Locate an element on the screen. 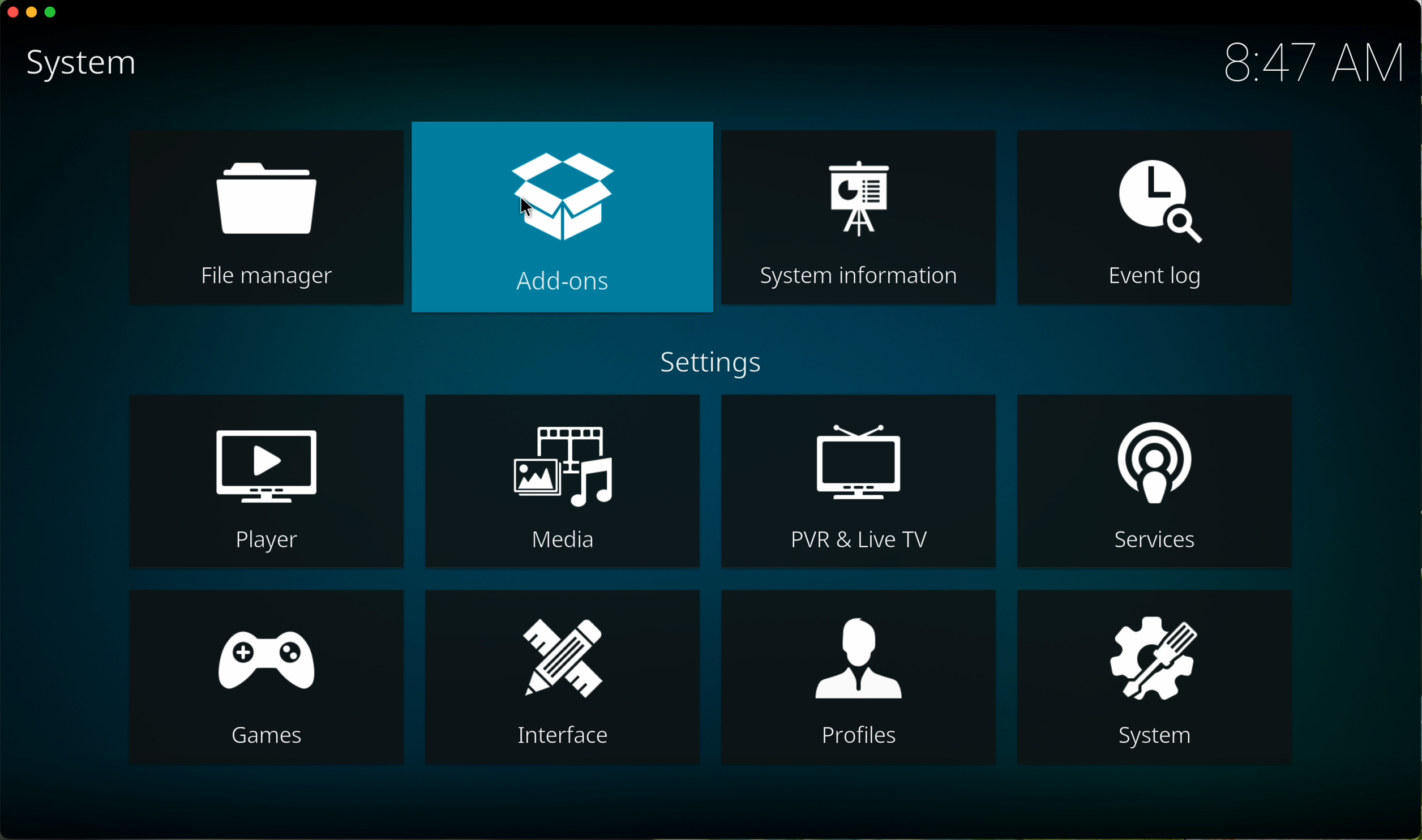 Image resolution: width=1422 pixels, height=840 pixels. file manager is located at coordinates (268, 217).